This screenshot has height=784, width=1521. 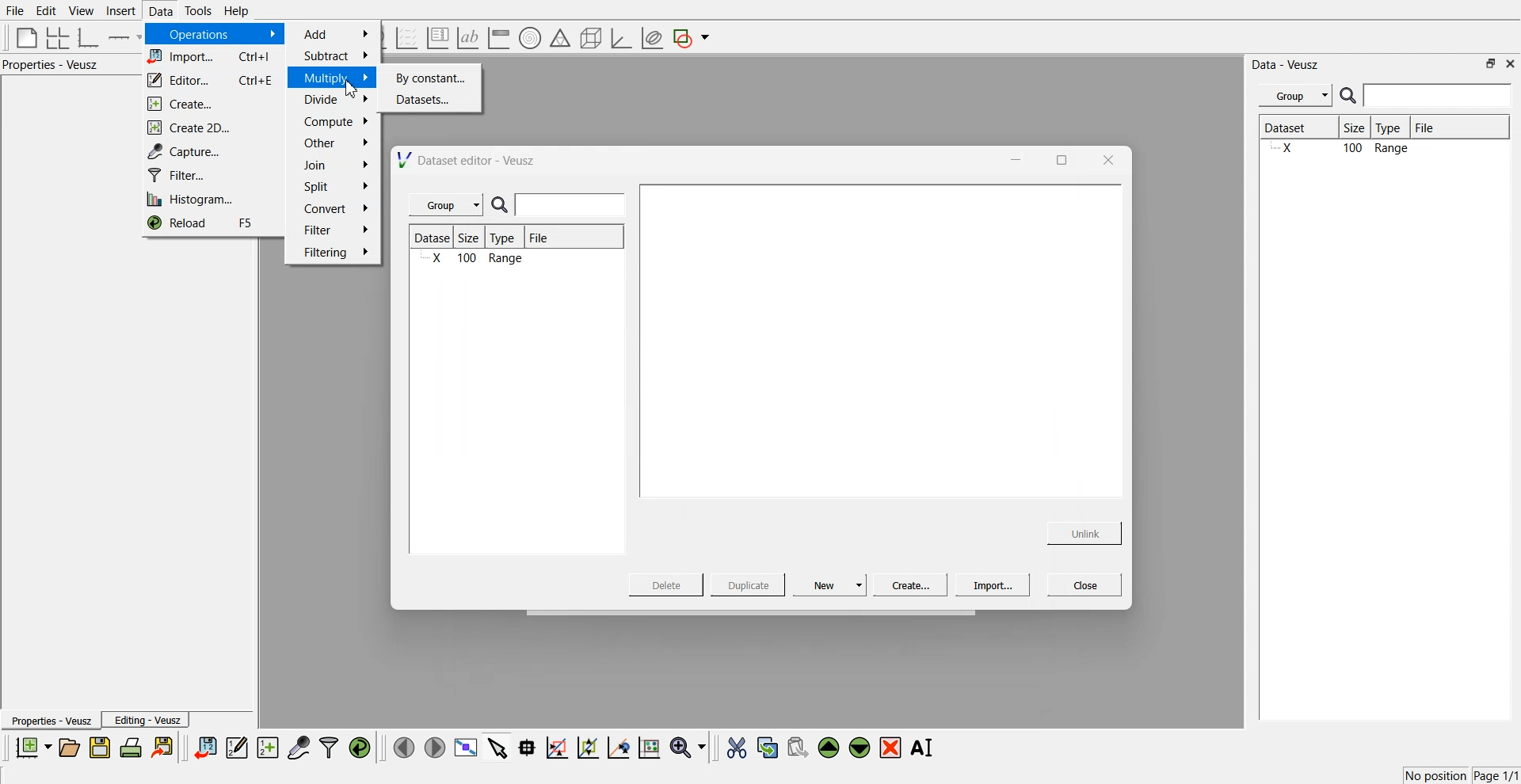 I want to click on add an axis, so click(x=125, y=37).